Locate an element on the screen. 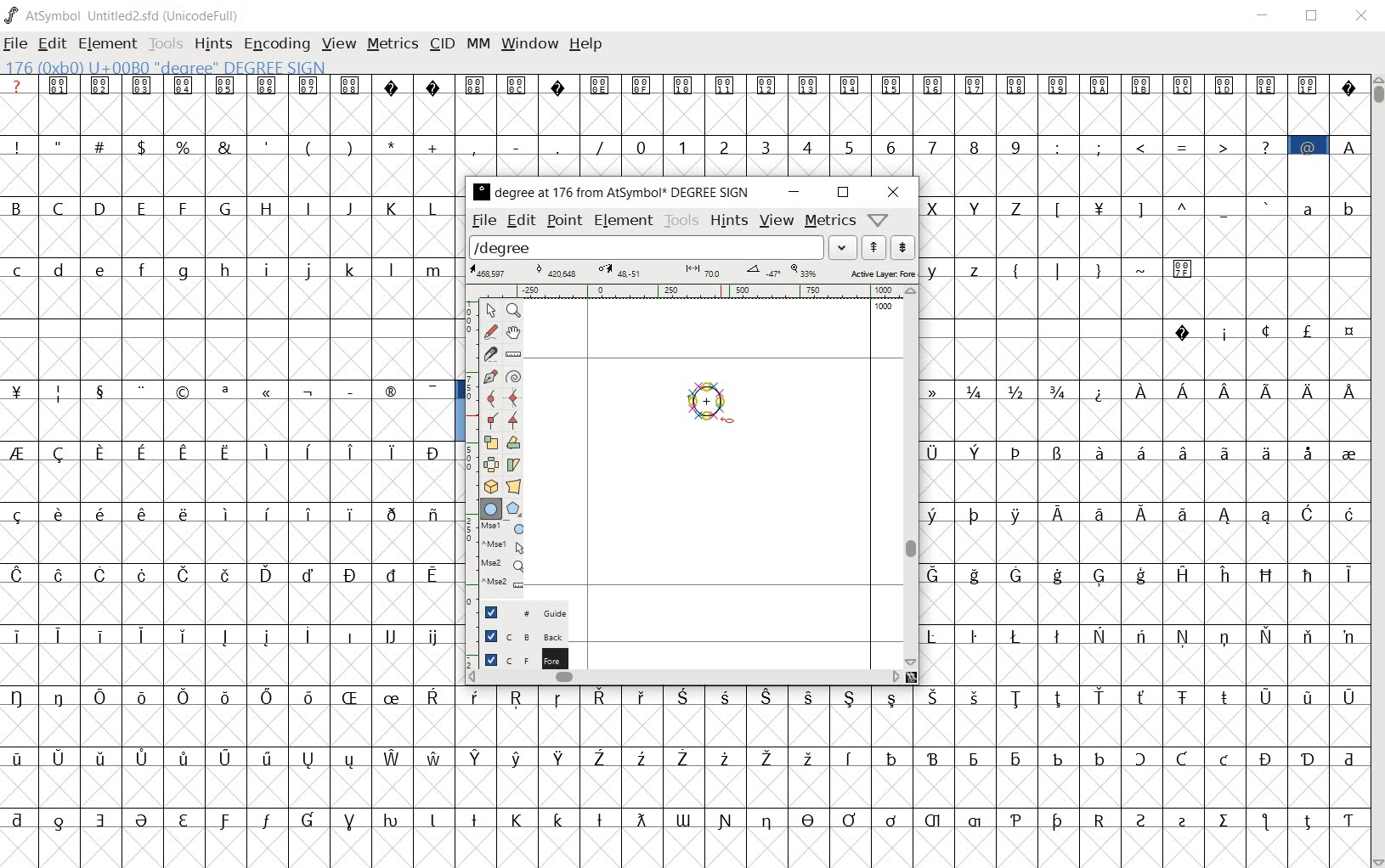  special letters is located at coordinates (685, 817).